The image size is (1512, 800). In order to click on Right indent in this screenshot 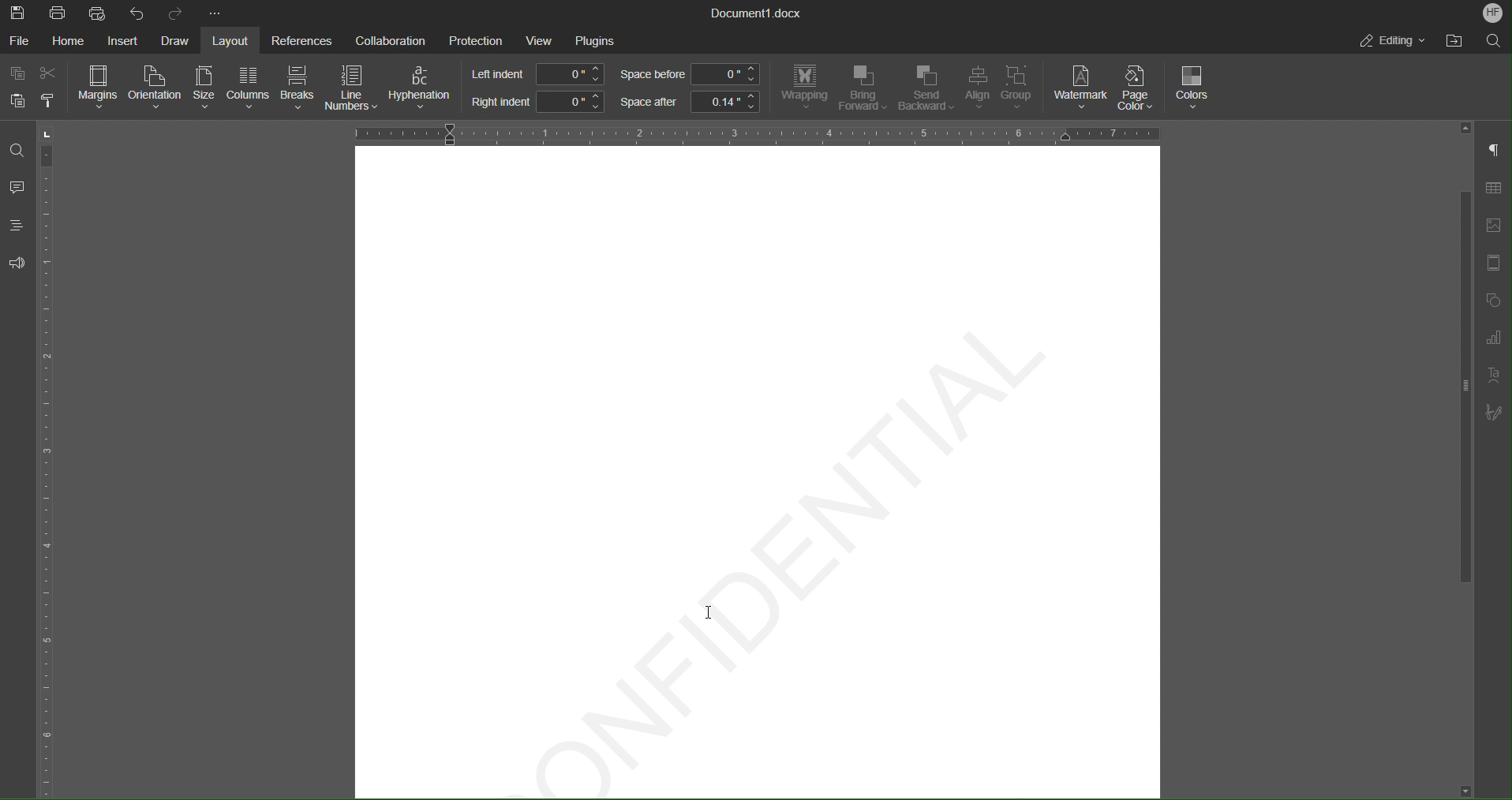, I will do `click(537, 102)`.